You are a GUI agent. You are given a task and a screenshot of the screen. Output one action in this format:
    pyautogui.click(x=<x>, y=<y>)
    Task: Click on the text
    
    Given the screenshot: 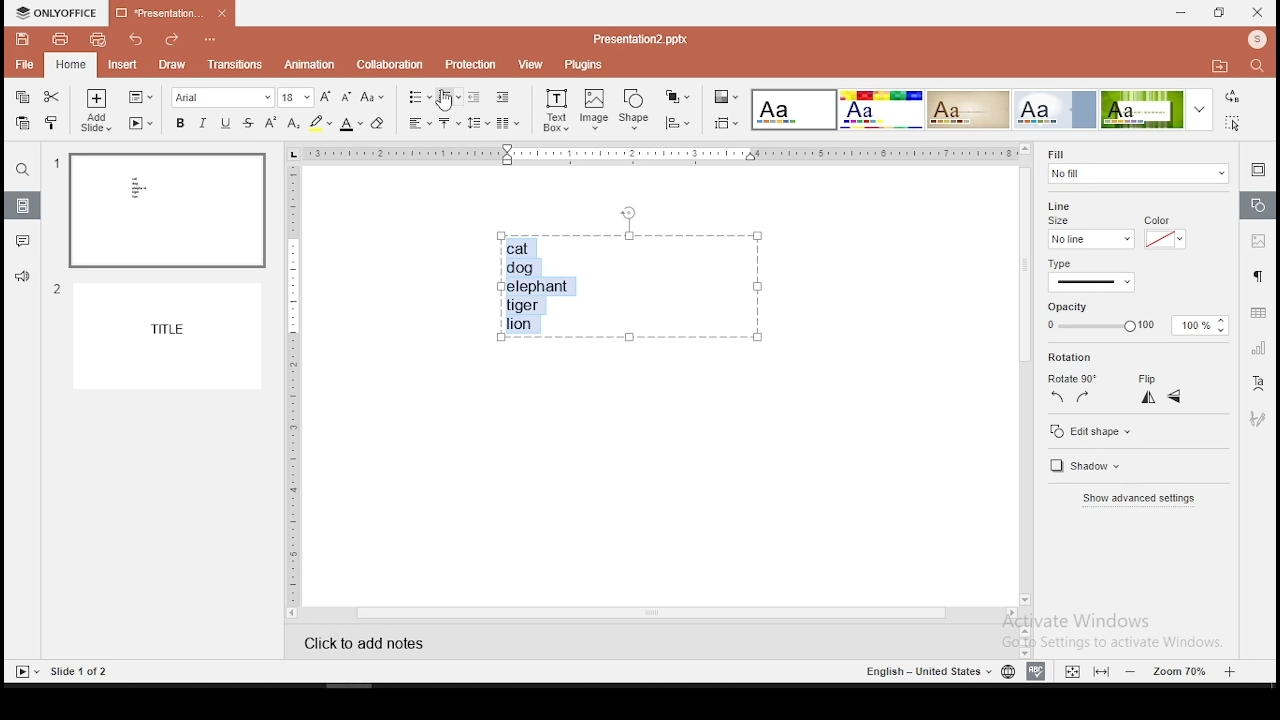 What is the action you would take?
    pyautogui.click(x=545, y=286)
    